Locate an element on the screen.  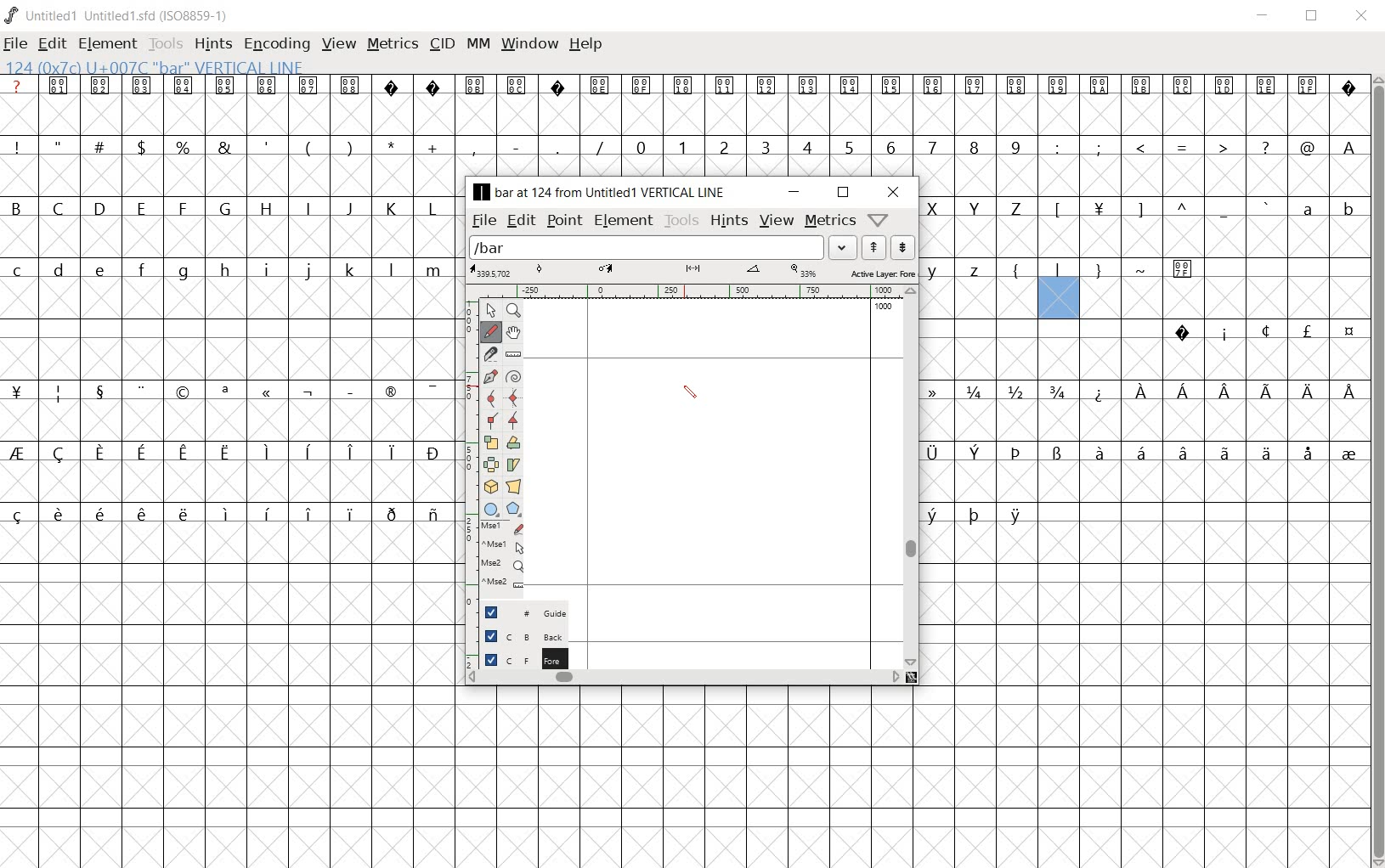
empty cells is located at coordinates (230, 696).